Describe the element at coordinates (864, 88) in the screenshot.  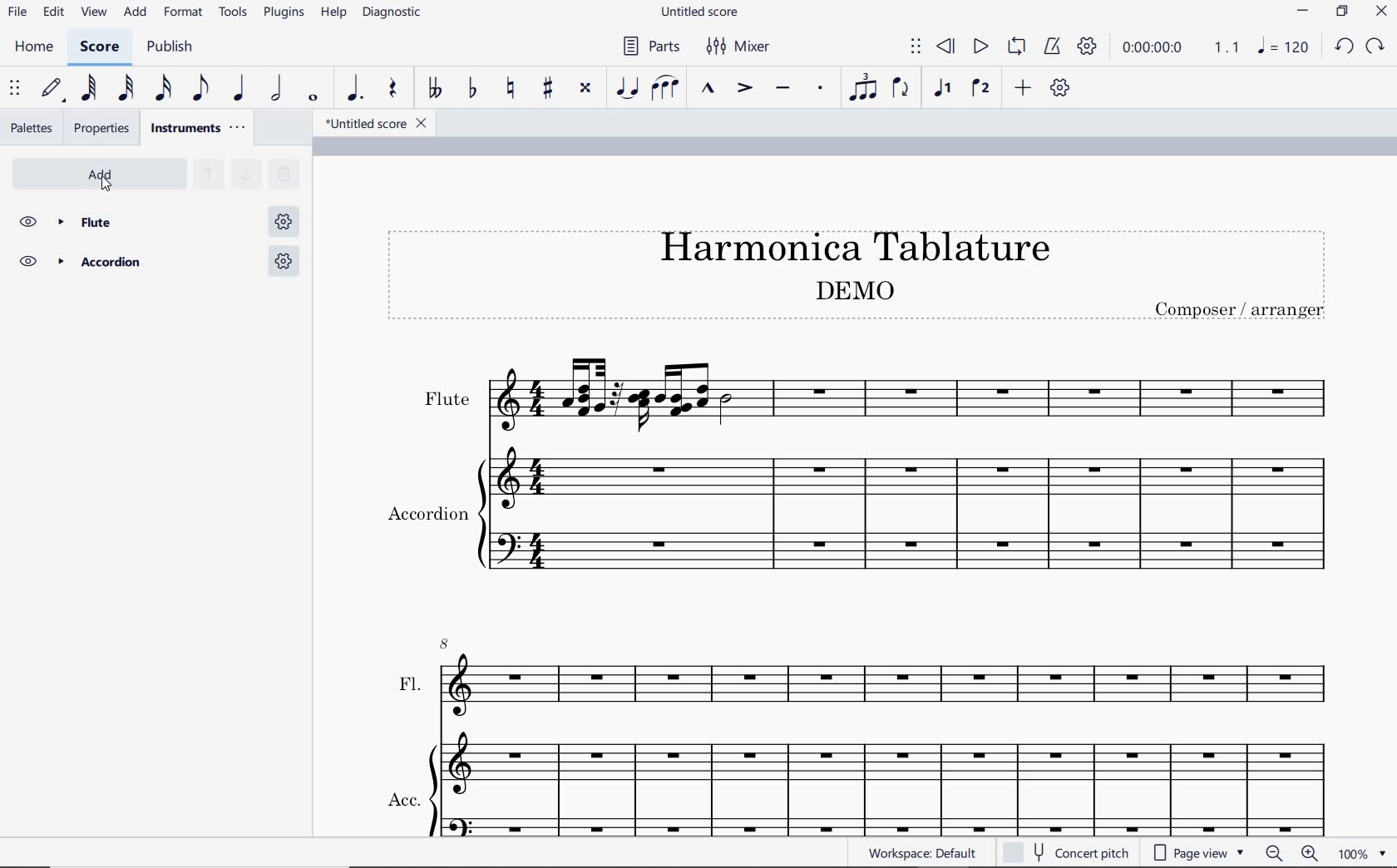
I see `tuplet` at that location.